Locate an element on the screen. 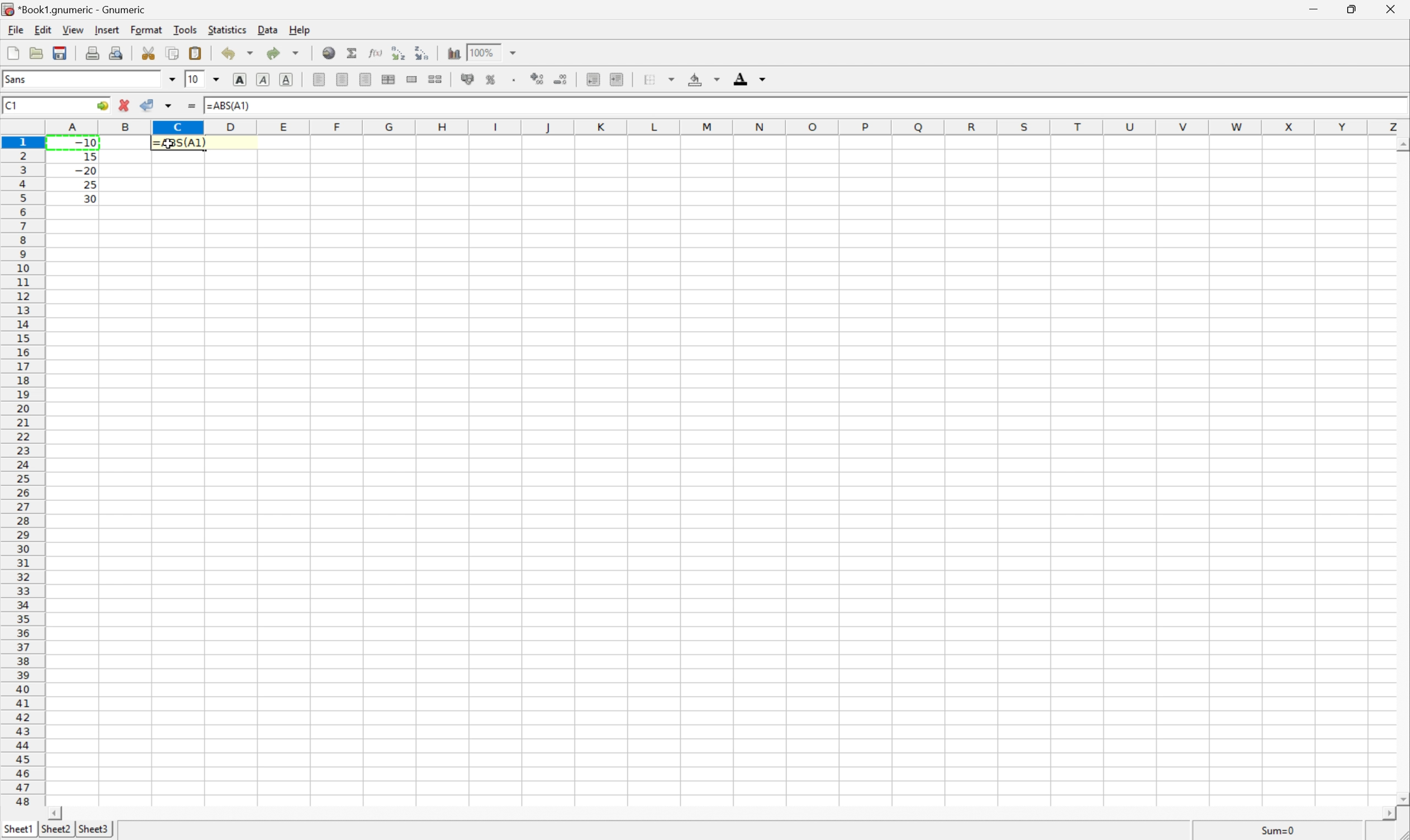  split merged ranges of cells is located at coordinates (435, 78).